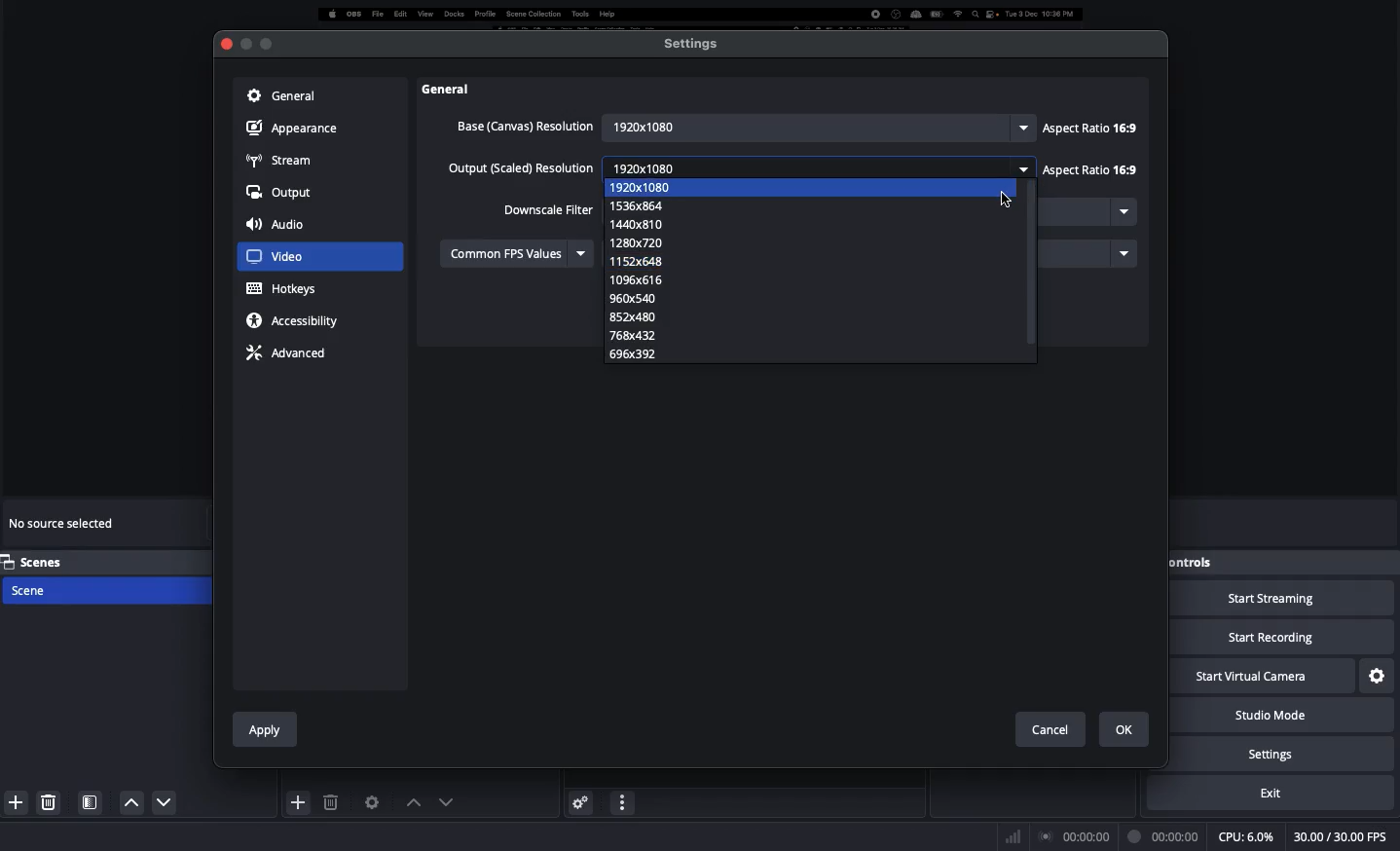 Image resolution: width=1400 pixels, height=851 pixels. Describe the element at coordinates (279, 159) in the screenshot. I see `Stream` at that location.